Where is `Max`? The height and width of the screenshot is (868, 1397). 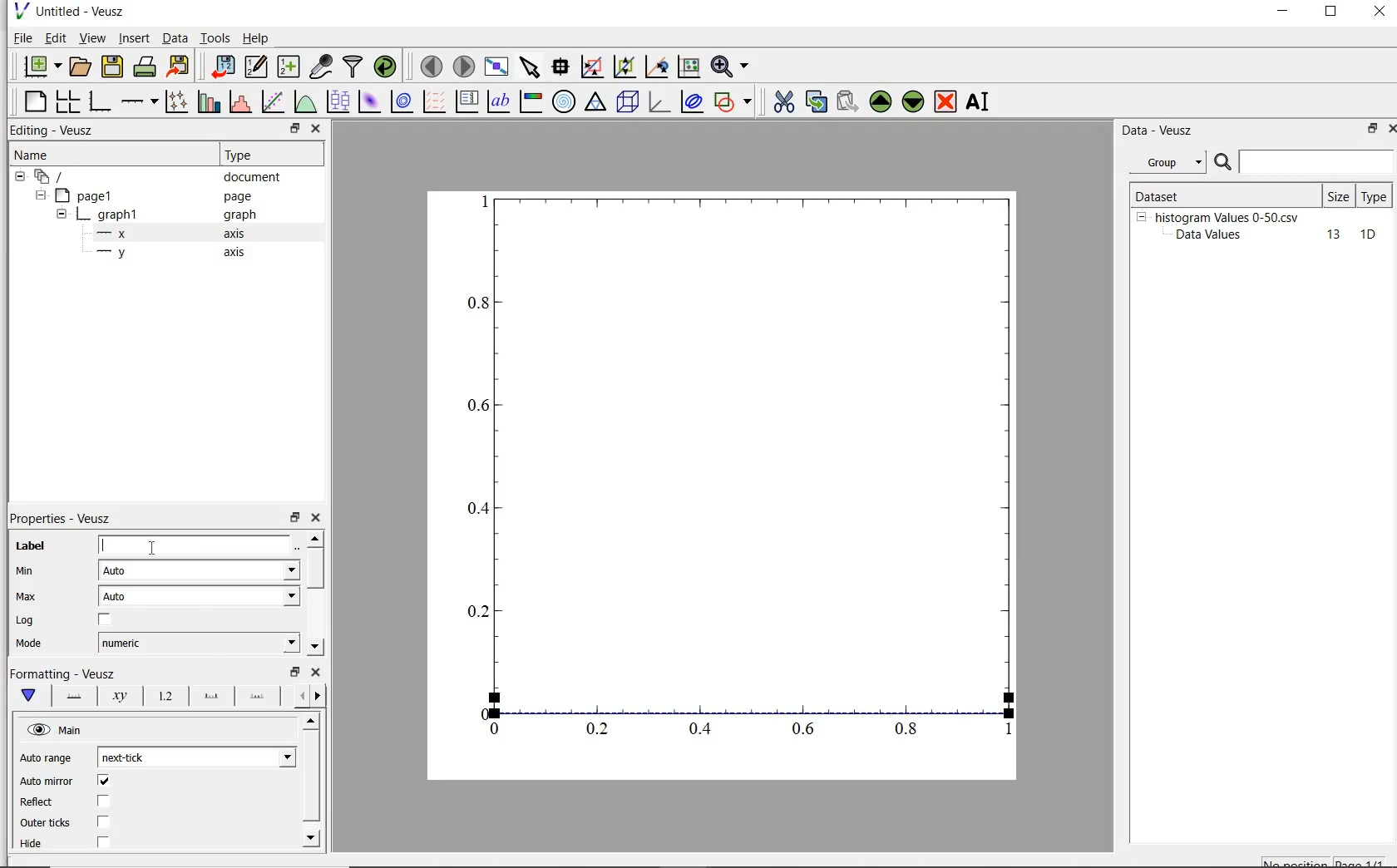
Max is located at coordinates (27, 596).